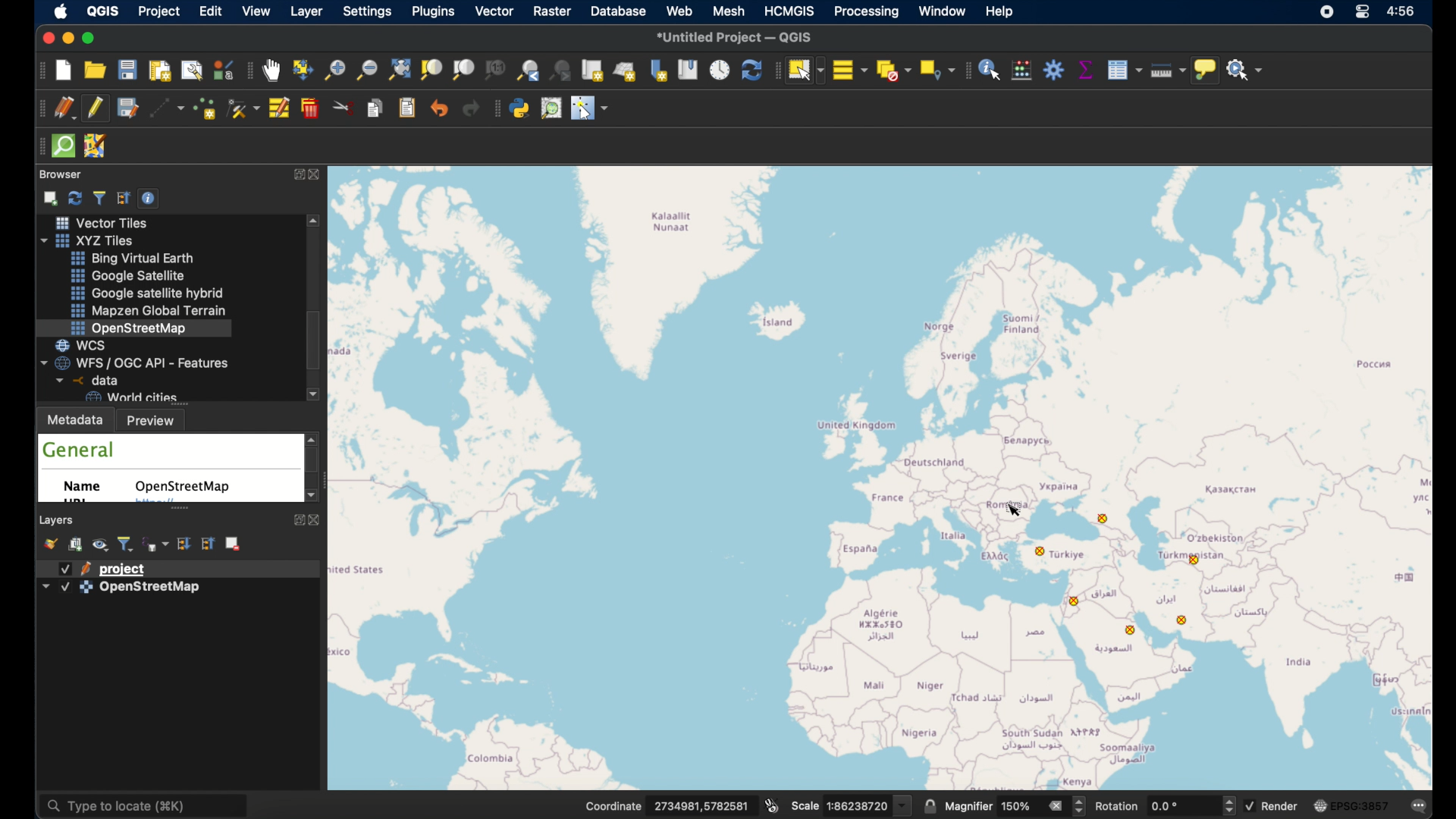  Describe the element at coordinates (64, 72) in the screenshot. I see `new project` at that location.